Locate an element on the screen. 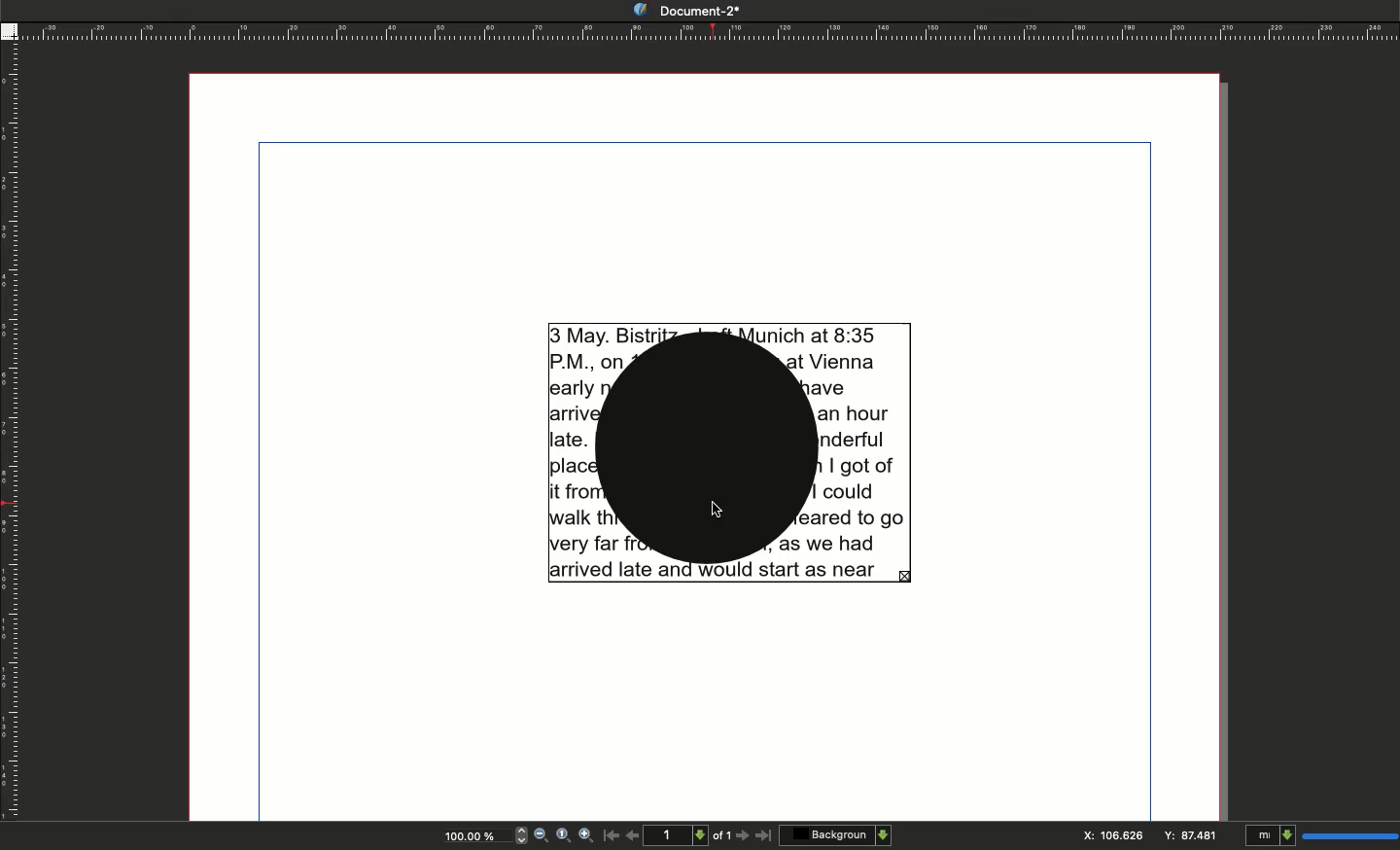 This screenshot has height=850, width=1400. Units is located at coordinates (1322, 833).